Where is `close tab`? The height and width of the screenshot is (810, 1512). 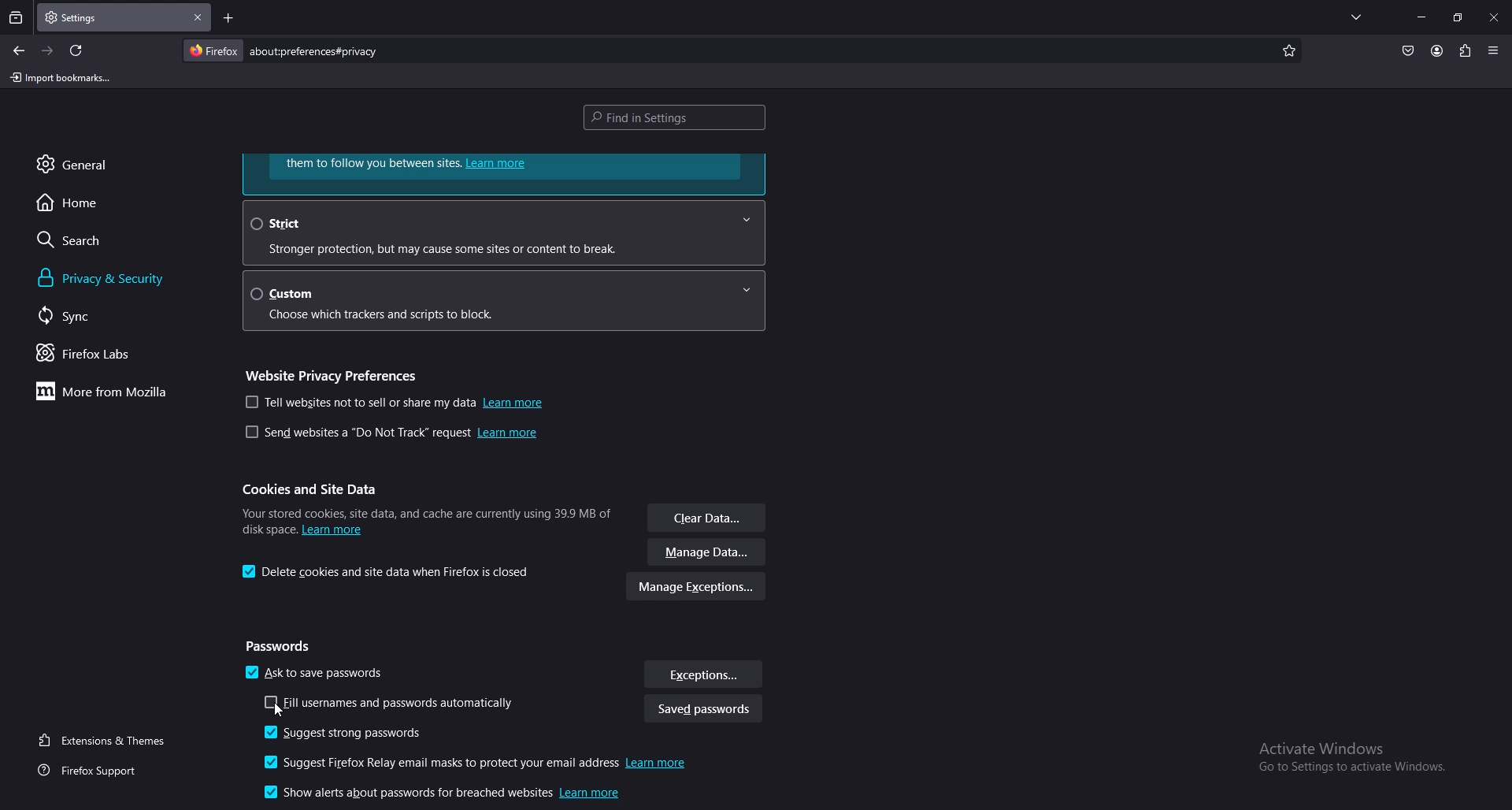 close tab is located at coordinates (198, 18).